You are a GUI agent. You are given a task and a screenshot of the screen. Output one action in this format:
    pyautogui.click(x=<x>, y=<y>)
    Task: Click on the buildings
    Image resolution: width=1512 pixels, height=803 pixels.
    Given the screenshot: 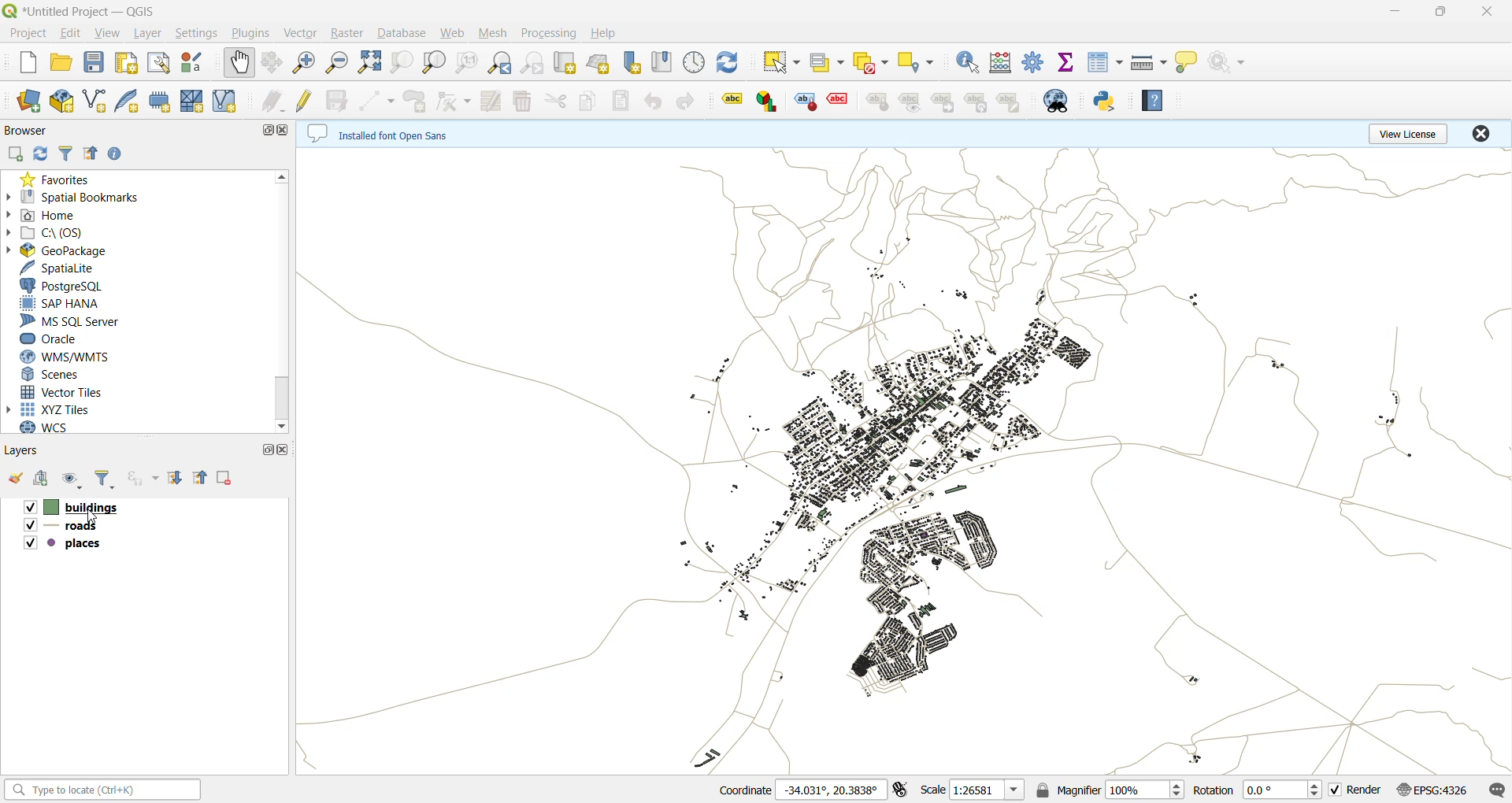 What is the action you would take?
    pyautogui.click(x=79, y=506)
    